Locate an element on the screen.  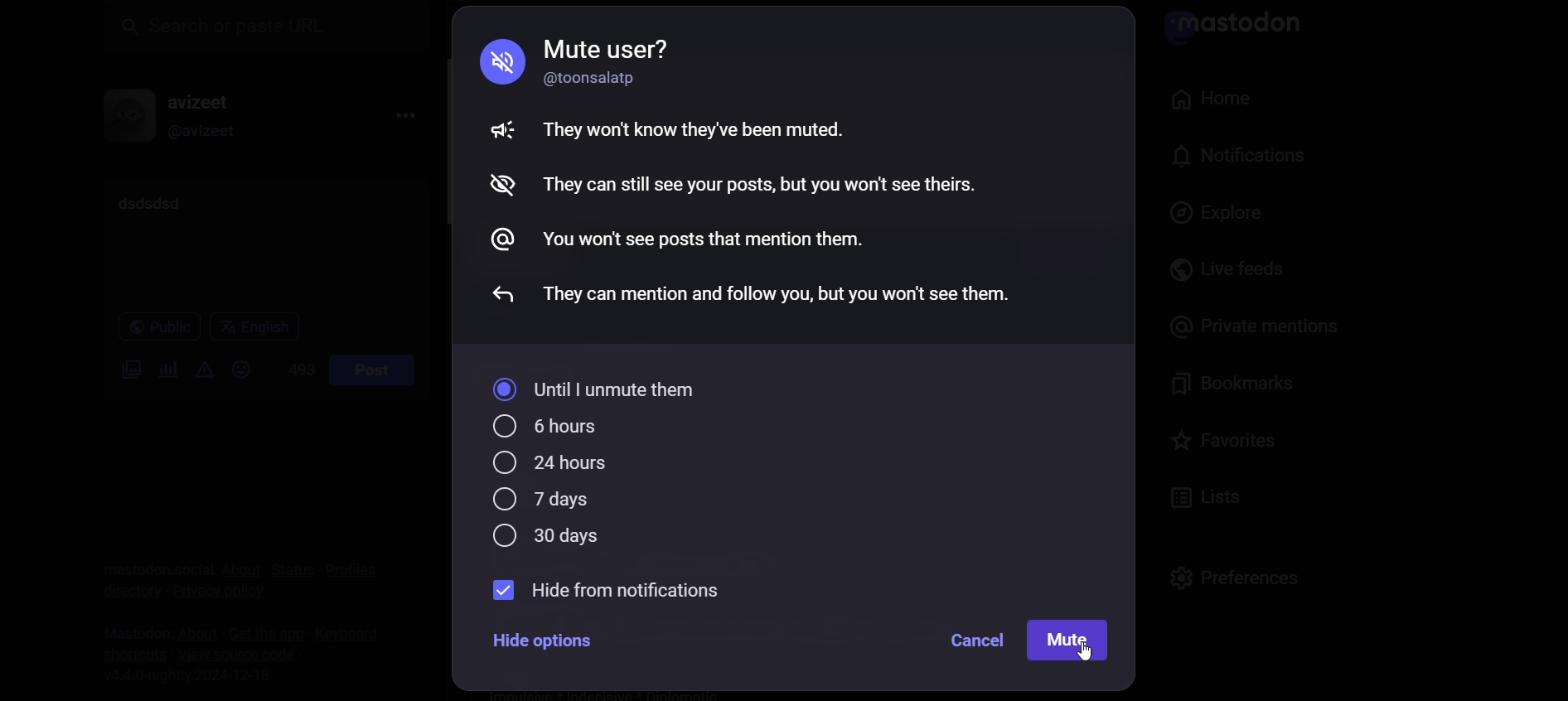
menu is located at coordinates (399, 117).